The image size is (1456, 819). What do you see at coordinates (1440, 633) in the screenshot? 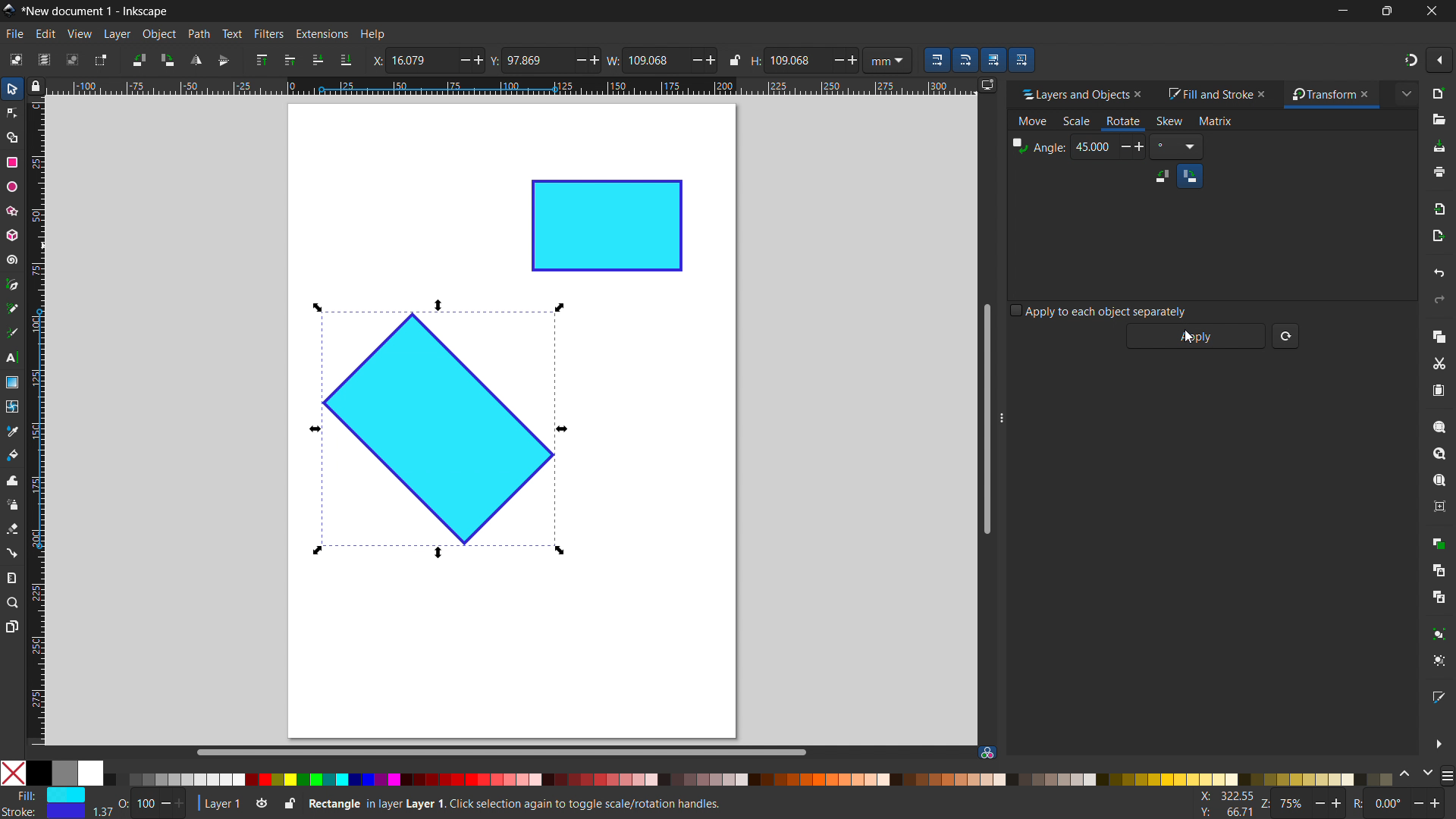
I see `group` at bounding box center [1440, 633].